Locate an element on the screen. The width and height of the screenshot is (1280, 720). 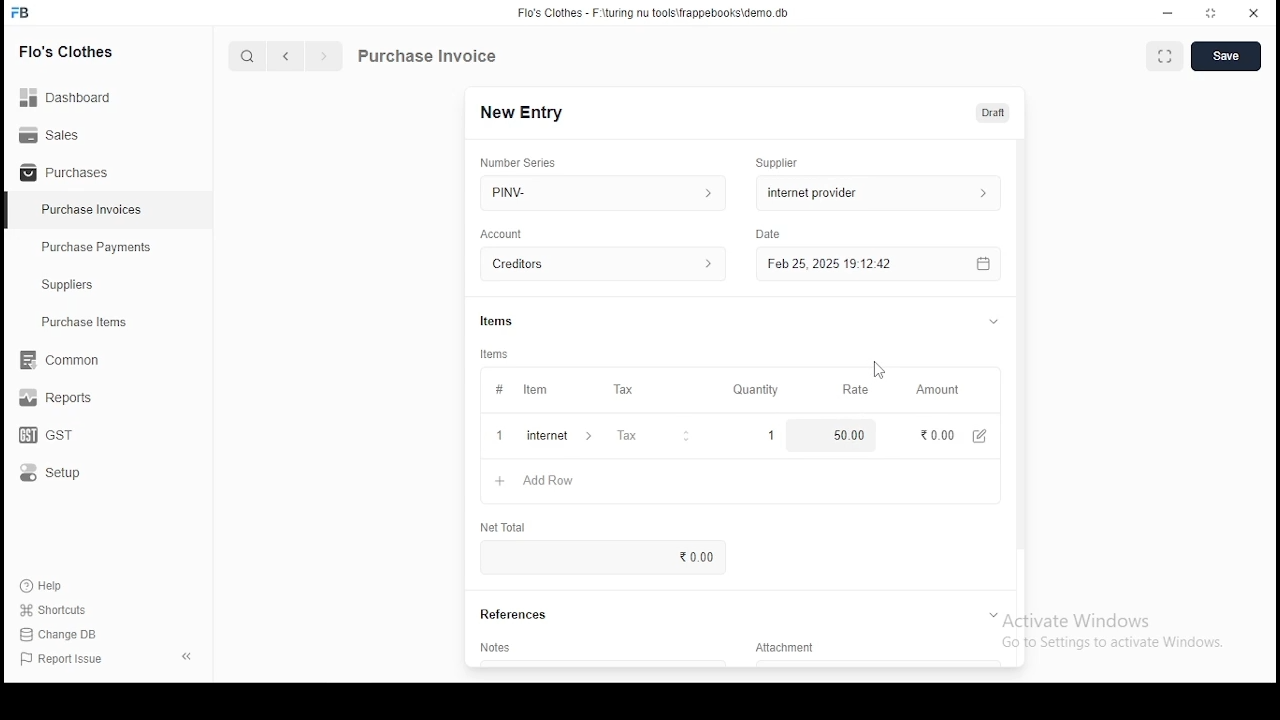
search is located at coordinates (250, 58).